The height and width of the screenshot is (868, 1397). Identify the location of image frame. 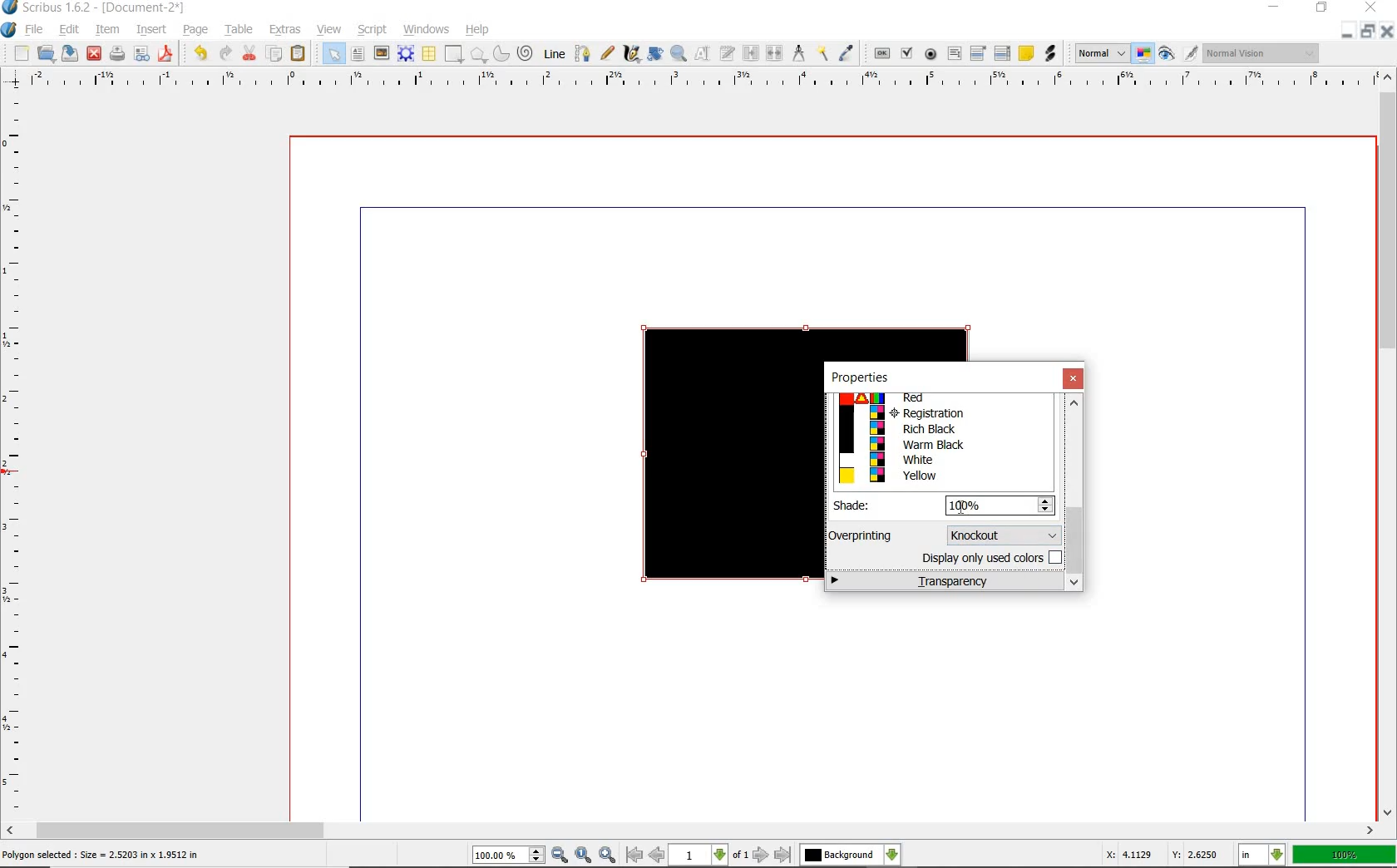
(383, 54).